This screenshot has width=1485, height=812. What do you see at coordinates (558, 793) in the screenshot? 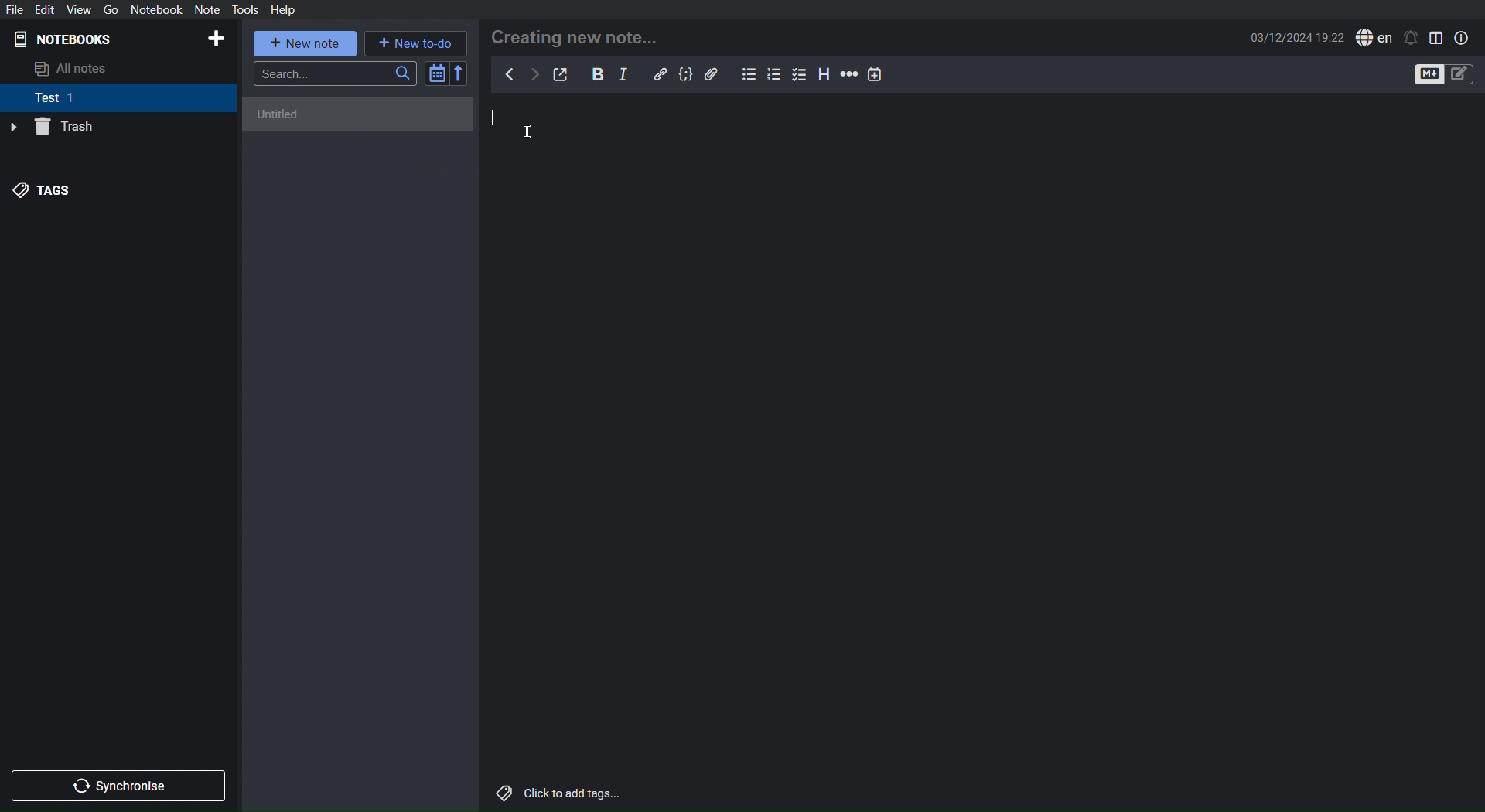
I see `Click to add tags` at bounding box center [558, 793].